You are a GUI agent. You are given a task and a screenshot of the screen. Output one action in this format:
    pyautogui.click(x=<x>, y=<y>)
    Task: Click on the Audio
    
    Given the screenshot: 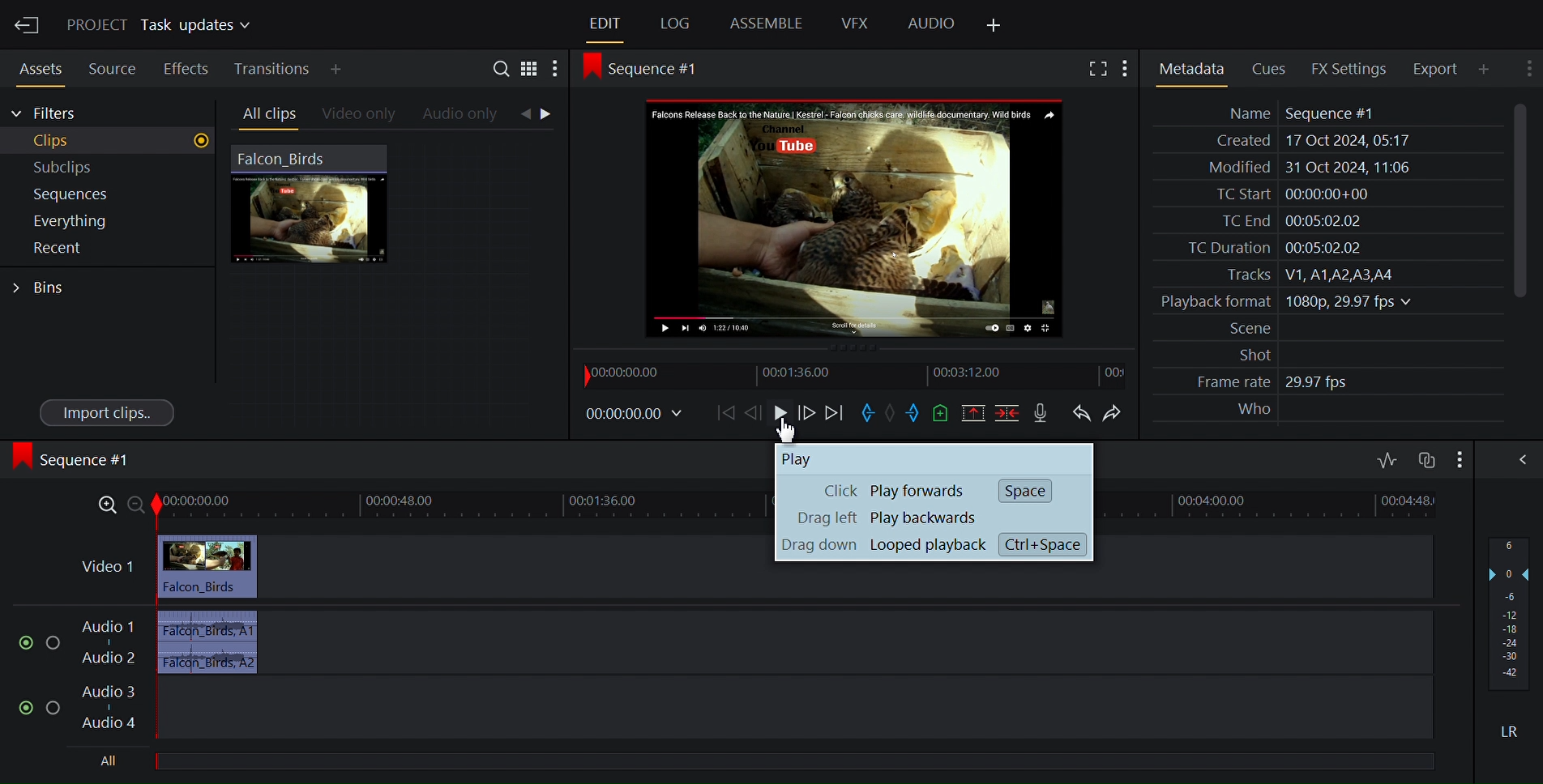 What is the action you would take?
    pyautogui.click(x=930, y=25)
    